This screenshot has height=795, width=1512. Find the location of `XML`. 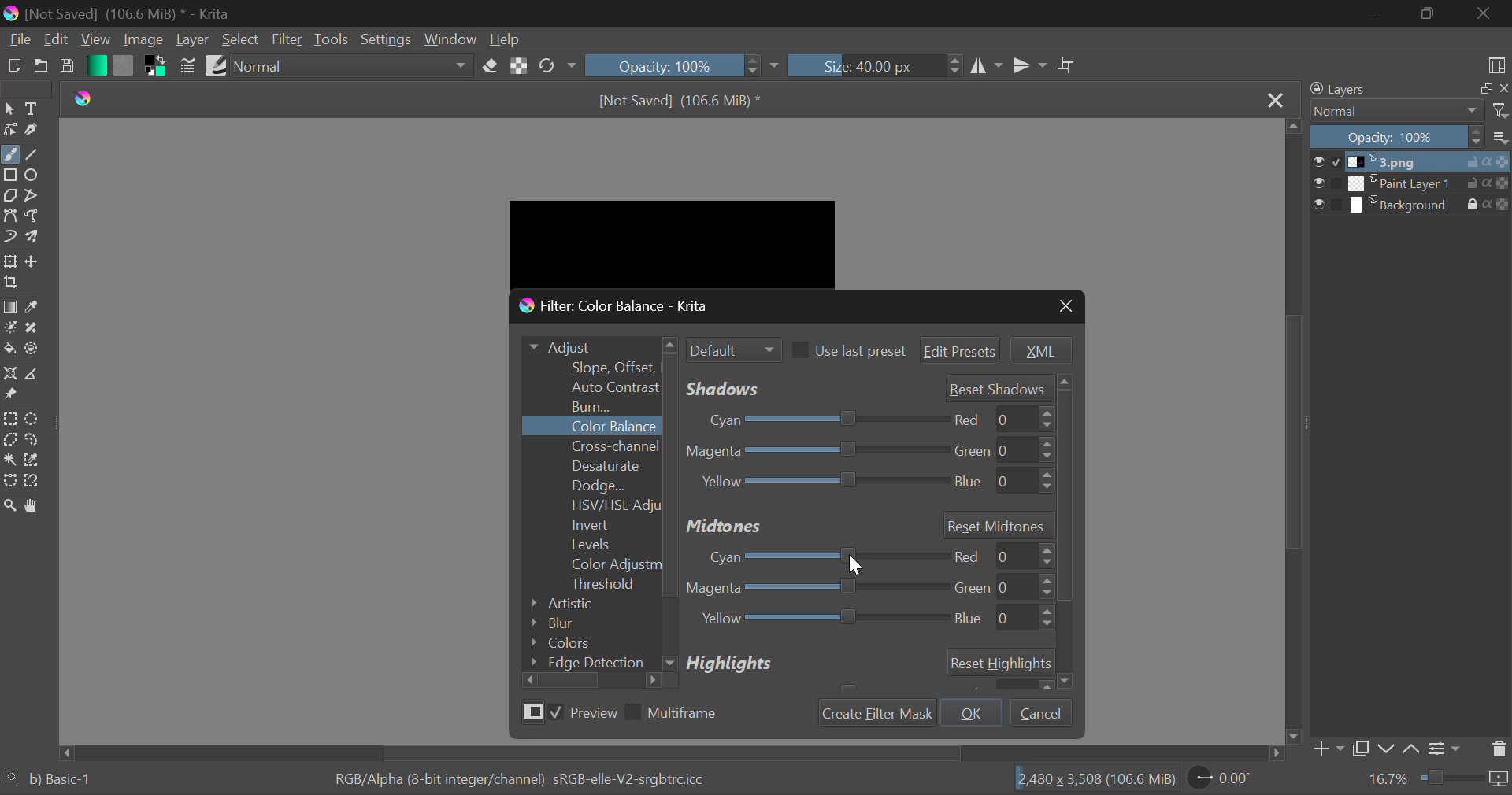

XML is located at coordinates (1039, 349).